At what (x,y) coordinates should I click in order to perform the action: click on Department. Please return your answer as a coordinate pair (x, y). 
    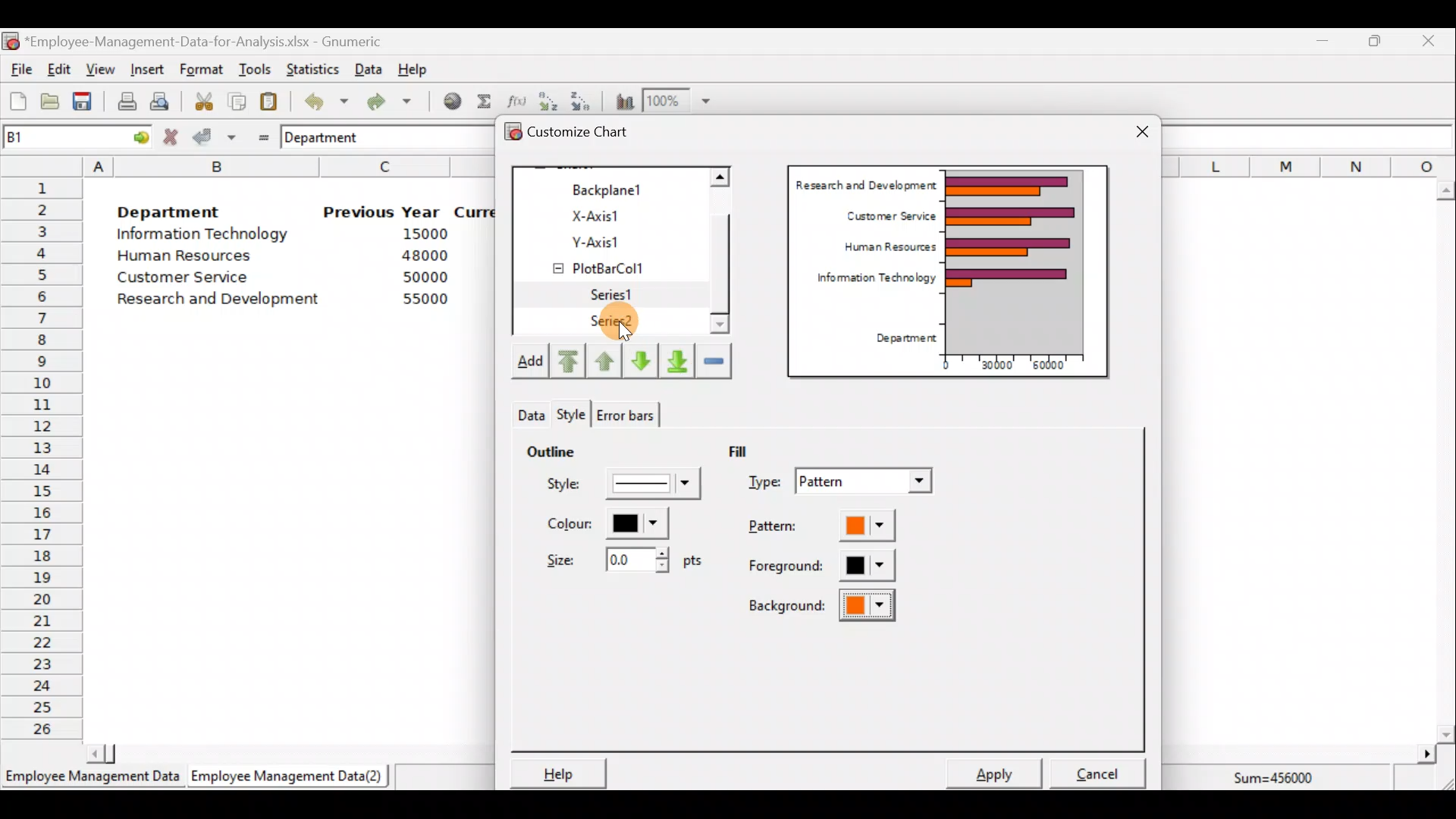
    Looking at the image, I should click on (901, 339).